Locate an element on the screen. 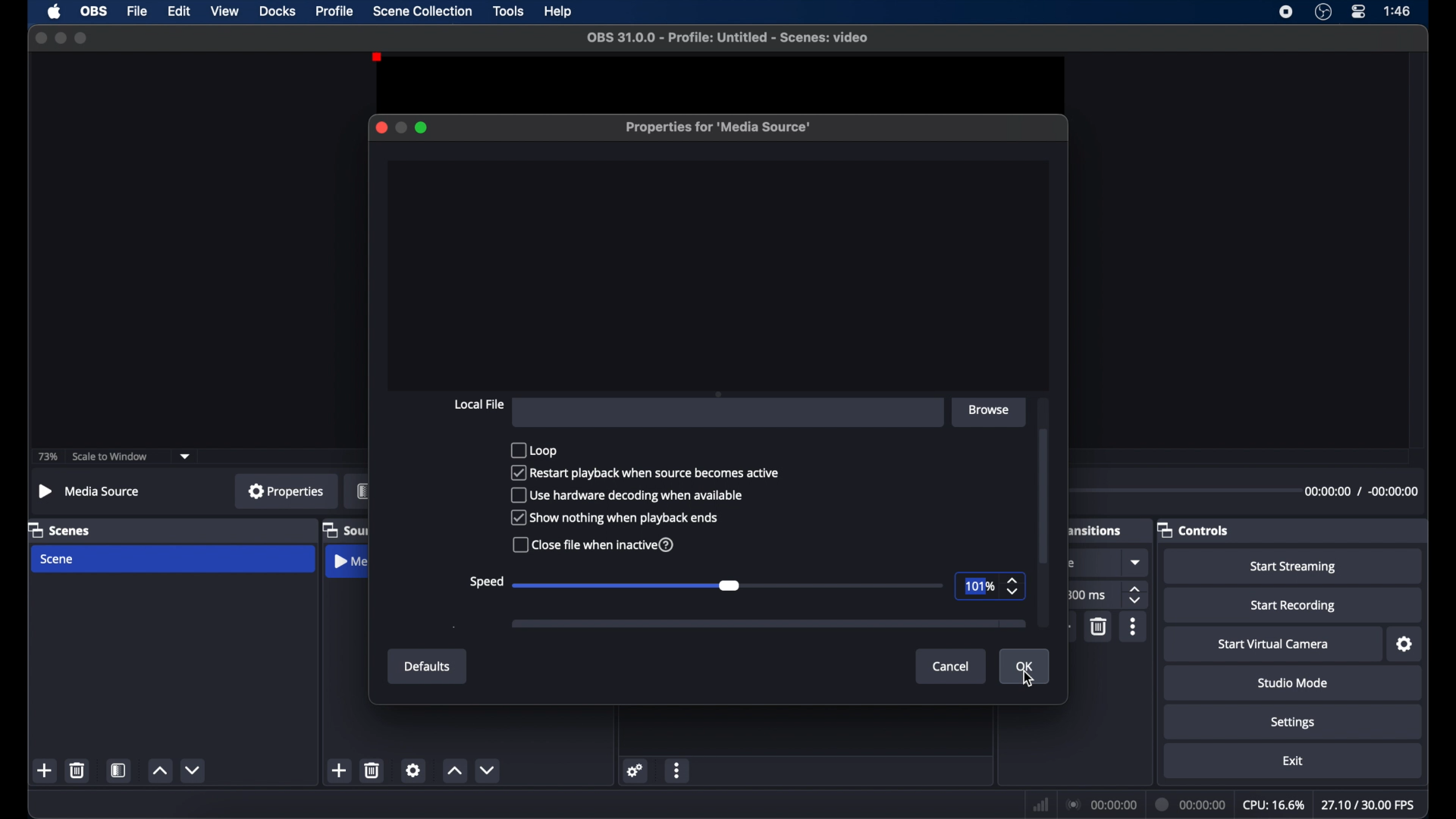 This screenshot has width=1456, height=819. duration is located at coordinates (1192, 805).